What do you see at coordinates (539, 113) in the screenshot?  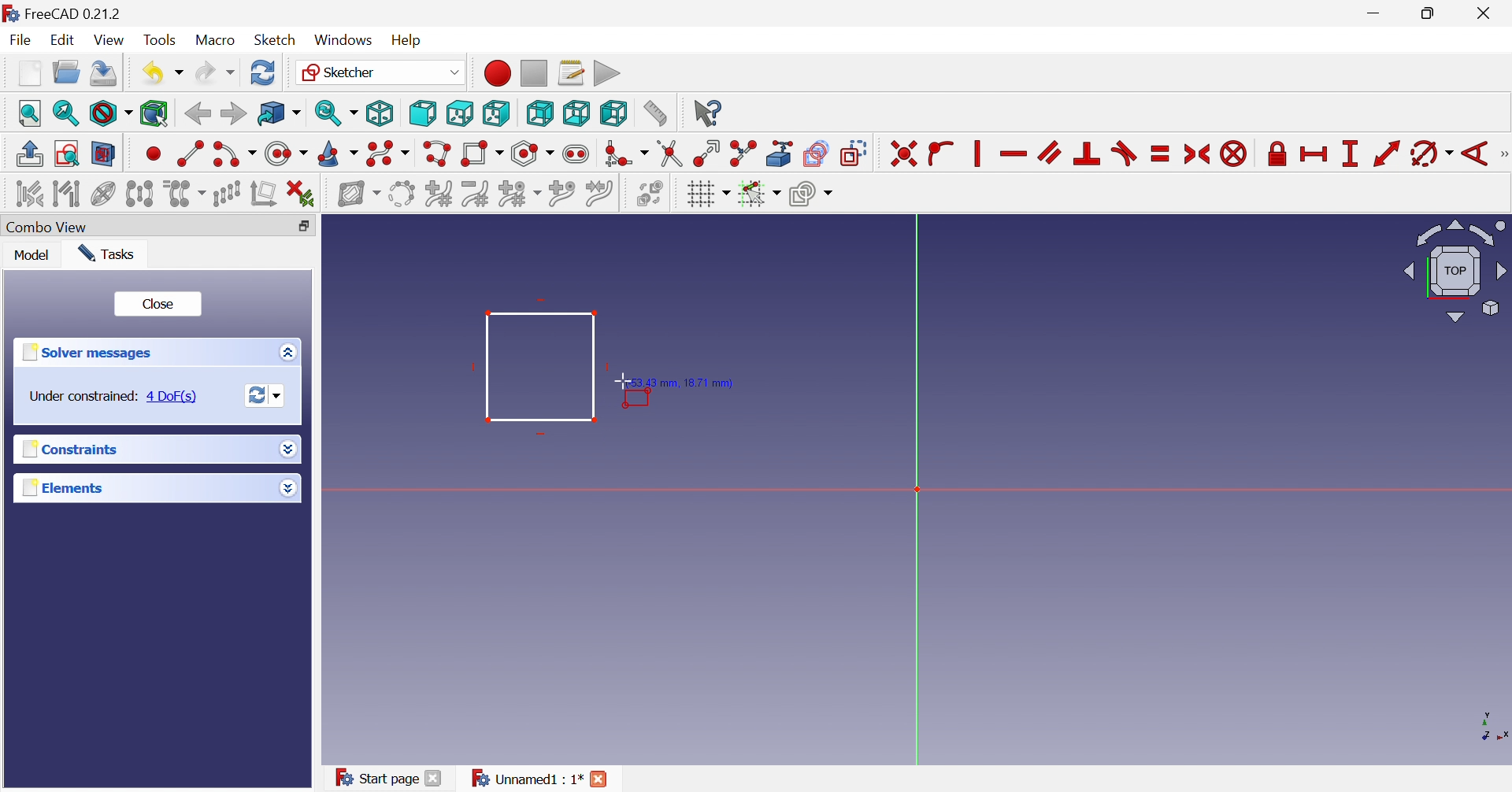 I see `Rear` at bounding box center [539, 113].